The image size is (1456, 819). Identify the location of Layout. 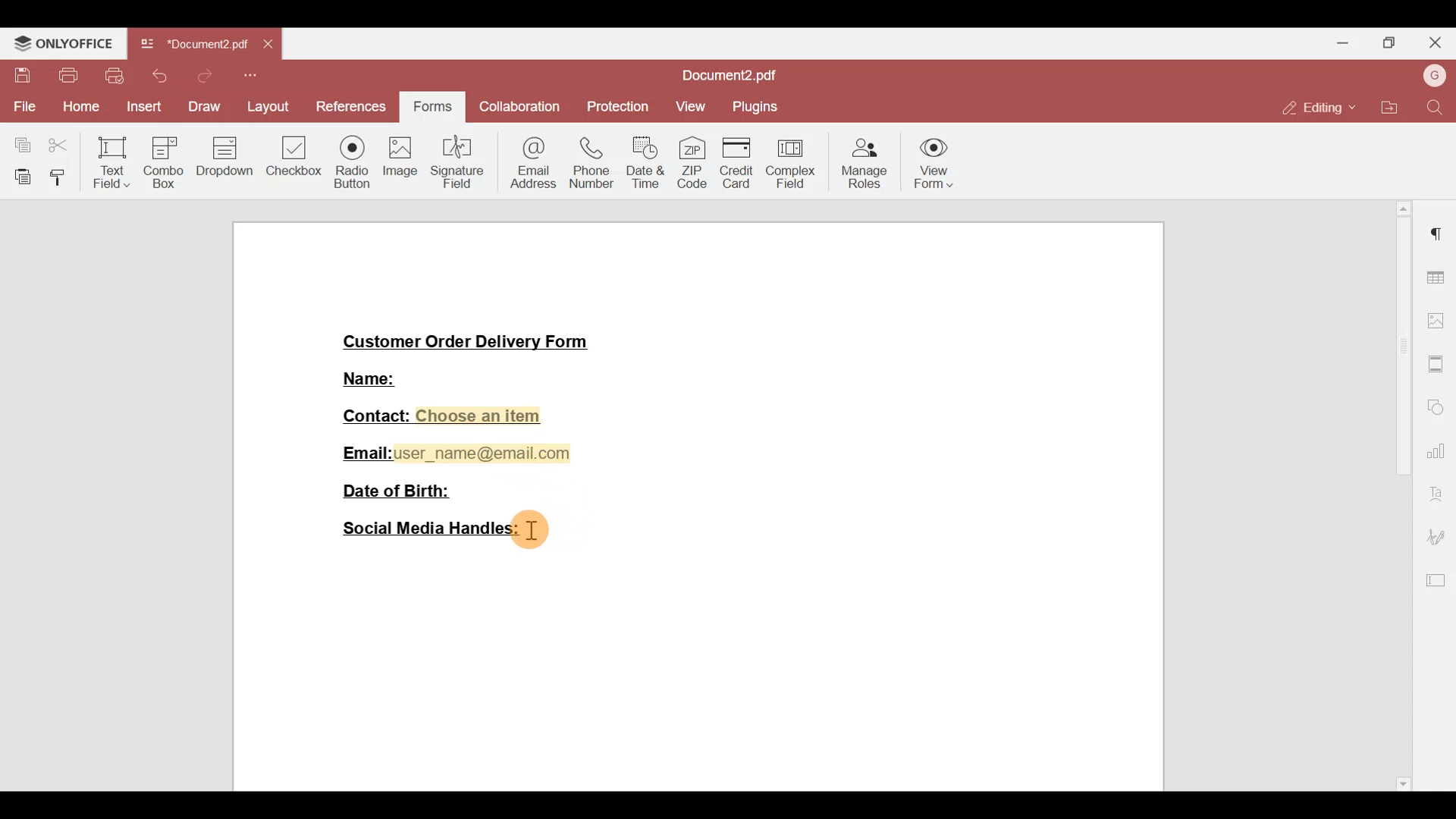
(266, 105).